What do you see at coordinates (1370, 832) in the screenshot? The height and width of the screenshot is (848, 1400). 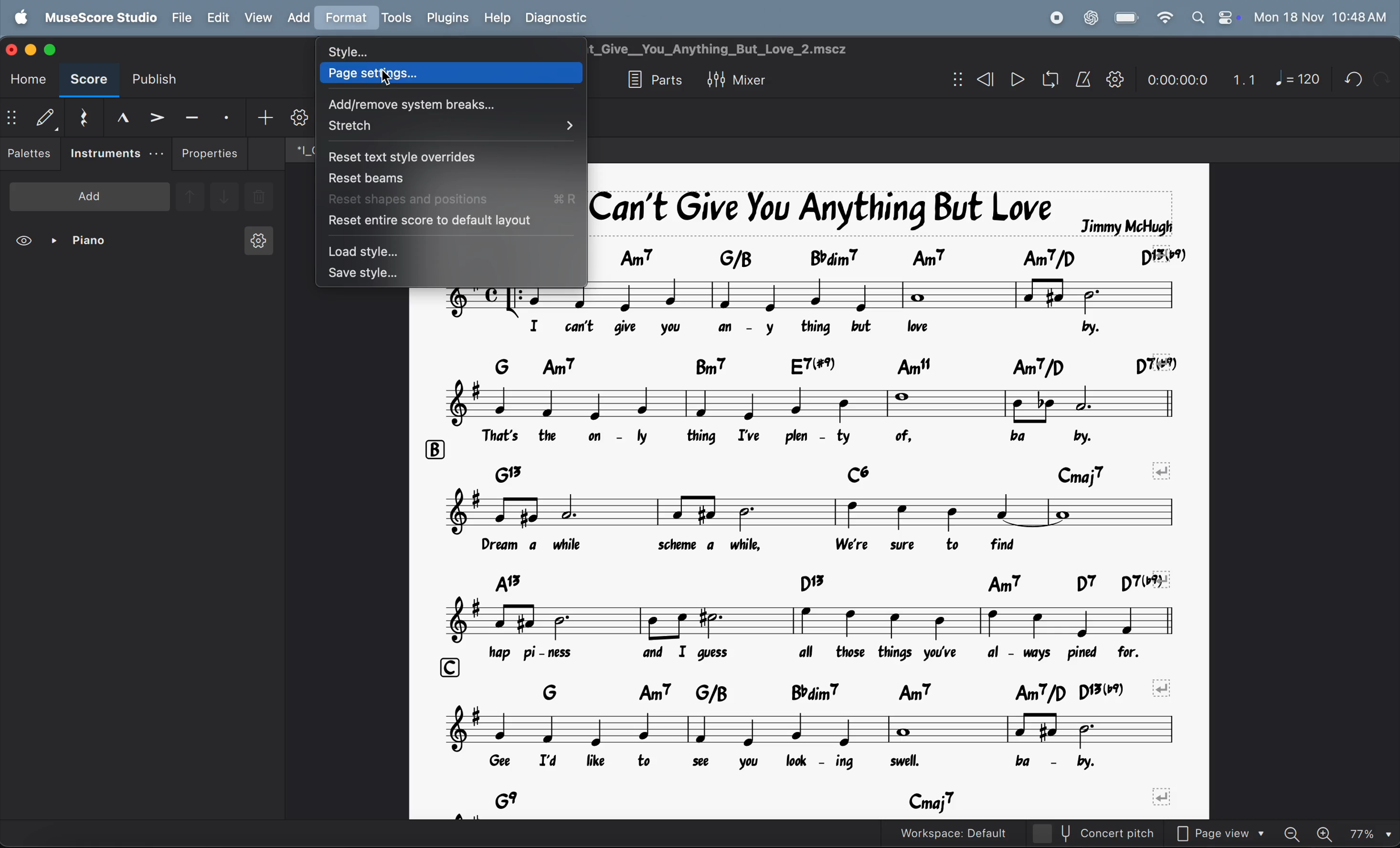 I see `77%` at bounding box center [1370, 832].